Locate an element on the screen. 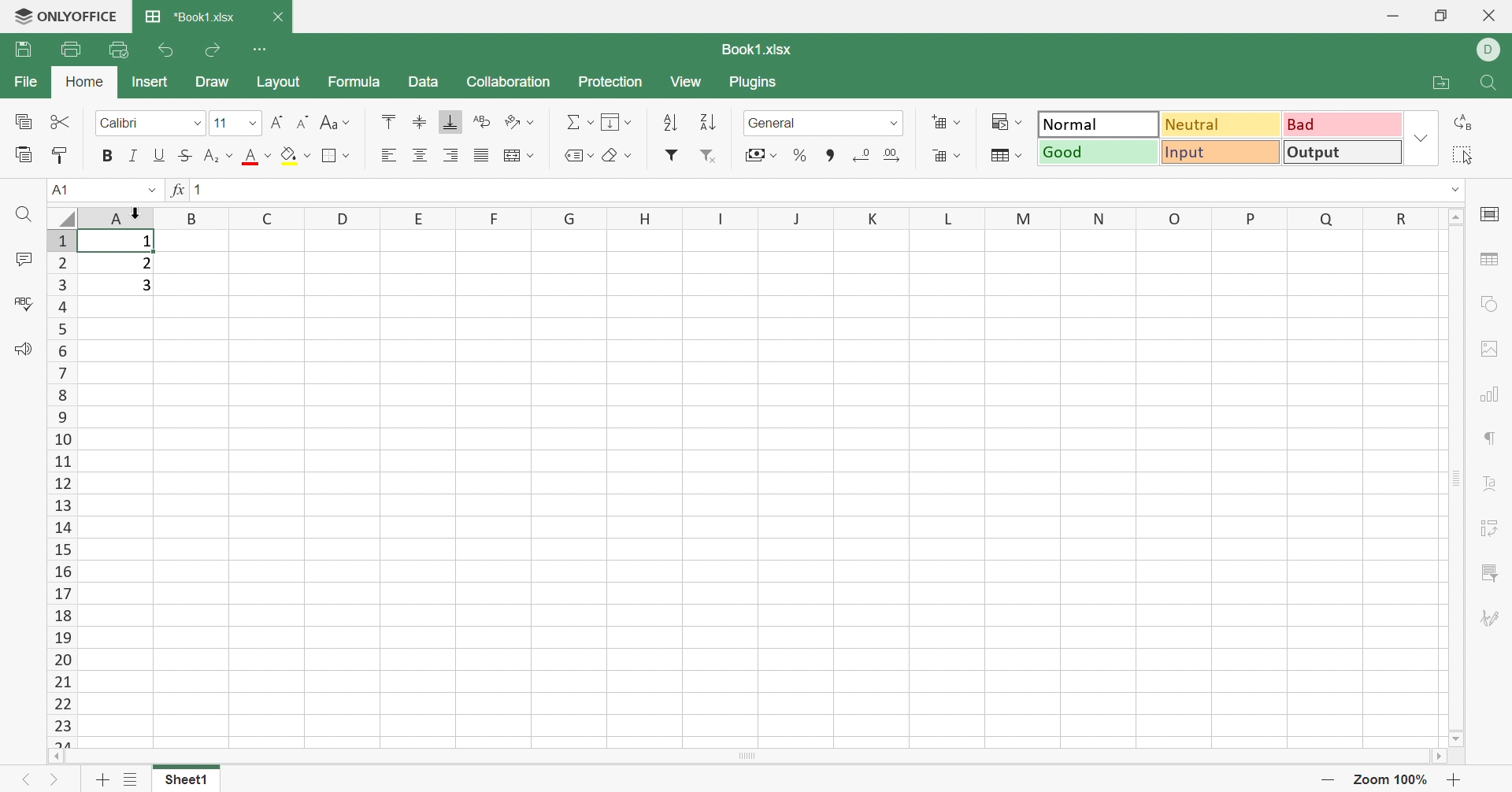 This screenshot has height=792, width=1512. Next is located at coordinates (54, 780).